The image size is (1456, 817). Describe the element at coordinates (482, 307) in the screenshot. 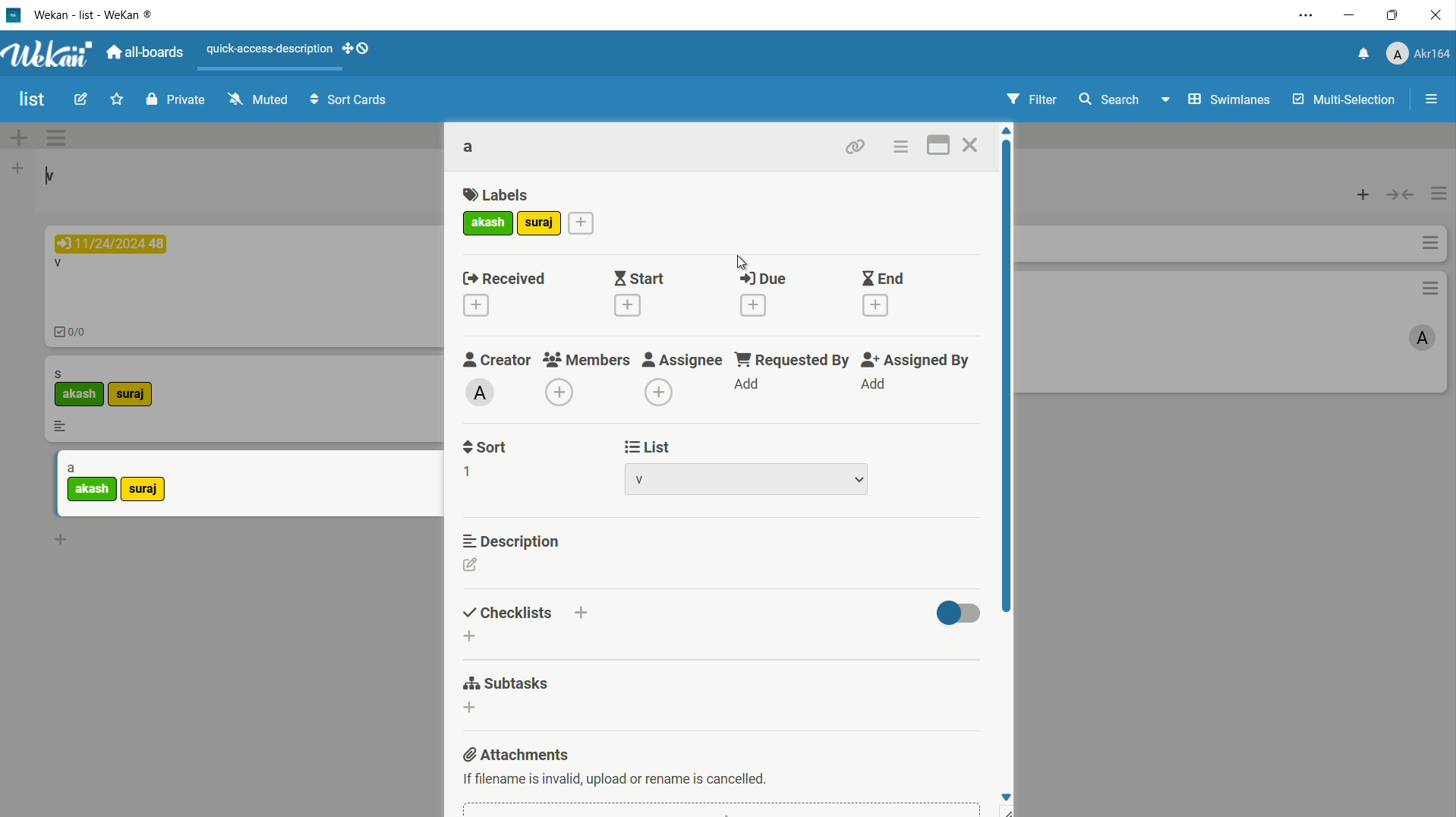

I see `label1` at that location.